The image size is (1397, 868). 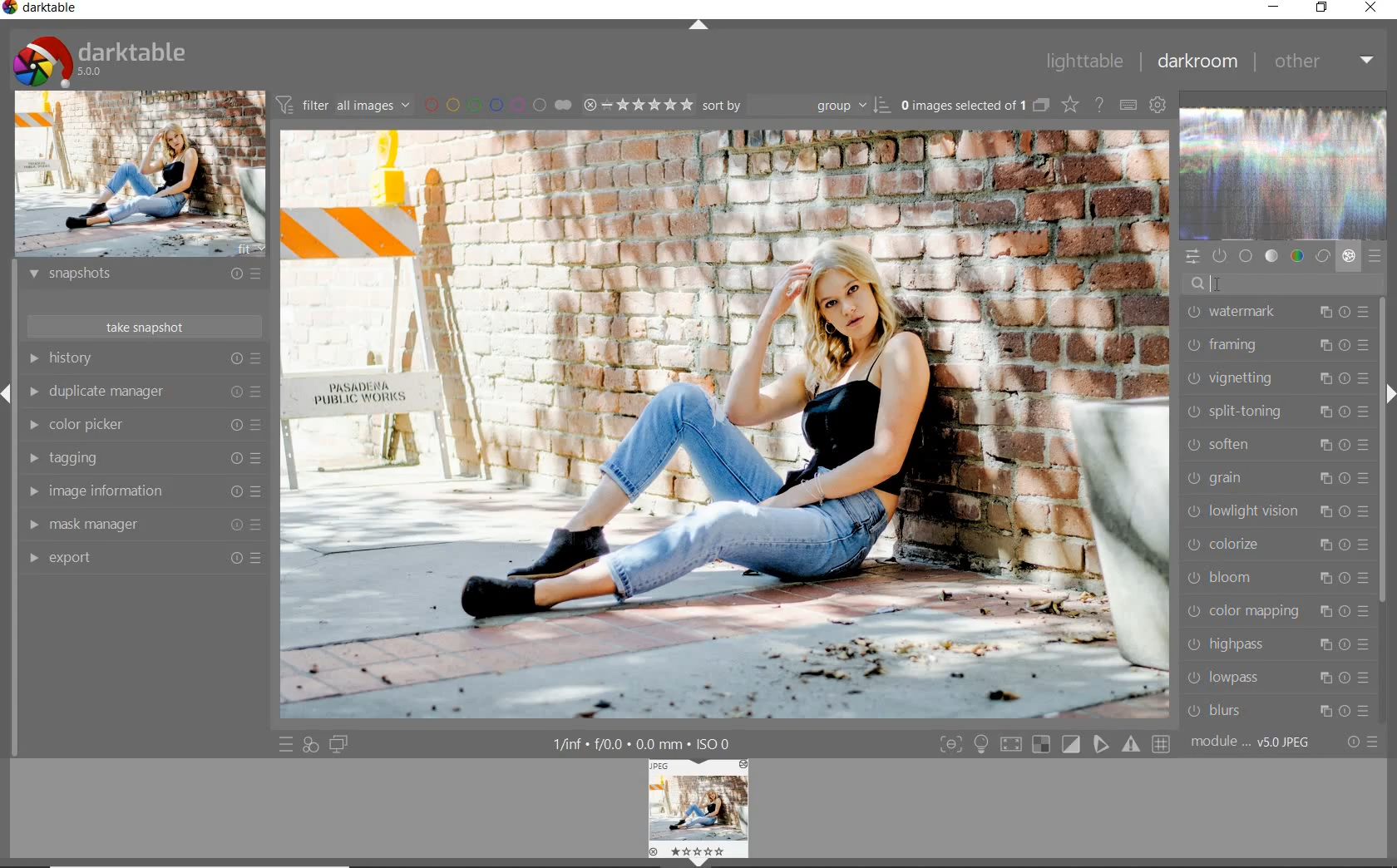 What do you see at coordinates (1360, 742) in the screenshot?
I see `reset or presets & preferences` at bounding box center [1360, 742].